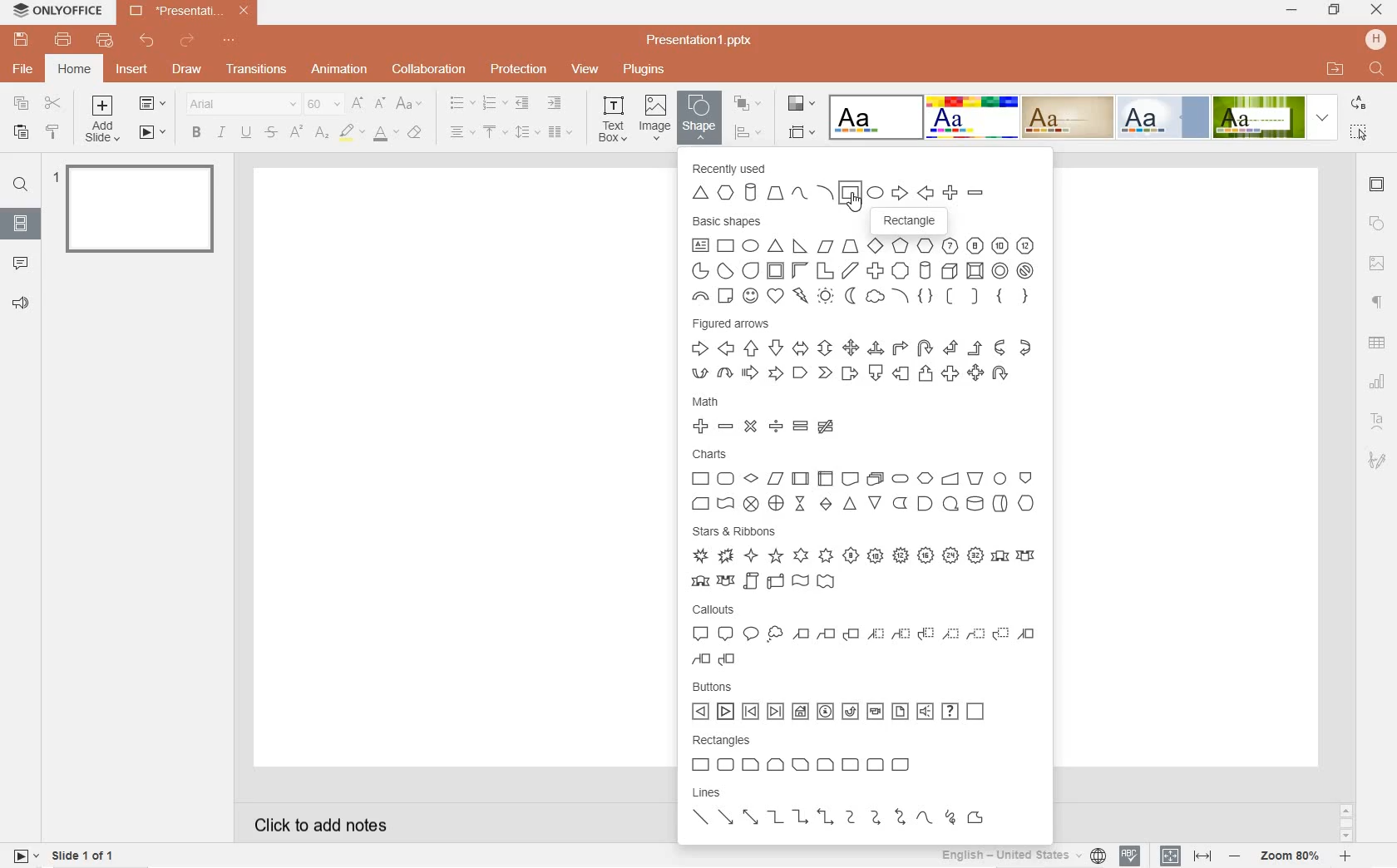 This screenshot has width=1397, height=868. What do you see at coordinates (851, 479) in the screenshot?
I see `Document` at bounding box center [851, 479].